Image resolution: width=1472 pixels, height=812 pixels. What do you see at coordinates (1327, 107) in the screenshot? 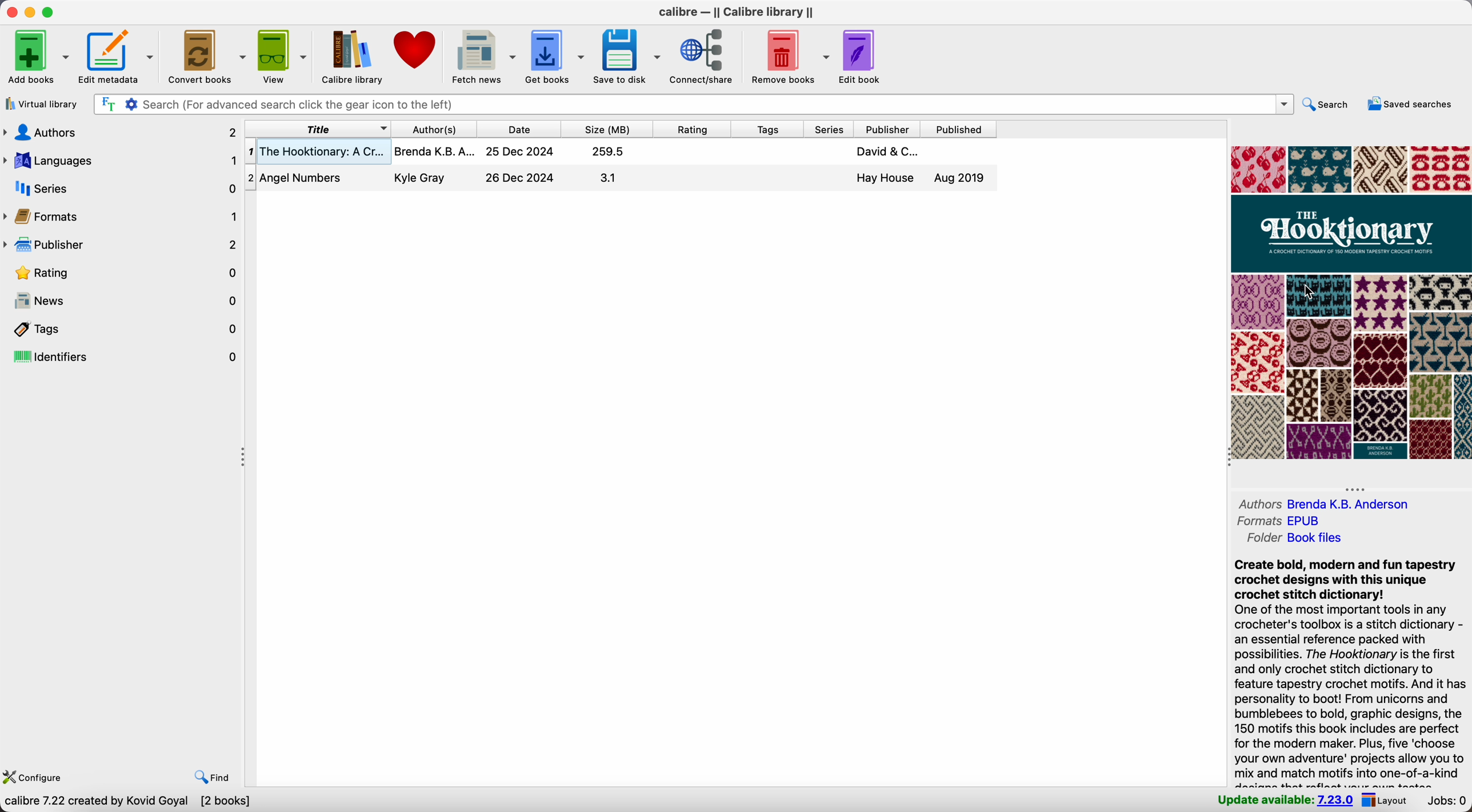
I see `search` at bounding box center [1327, 107].